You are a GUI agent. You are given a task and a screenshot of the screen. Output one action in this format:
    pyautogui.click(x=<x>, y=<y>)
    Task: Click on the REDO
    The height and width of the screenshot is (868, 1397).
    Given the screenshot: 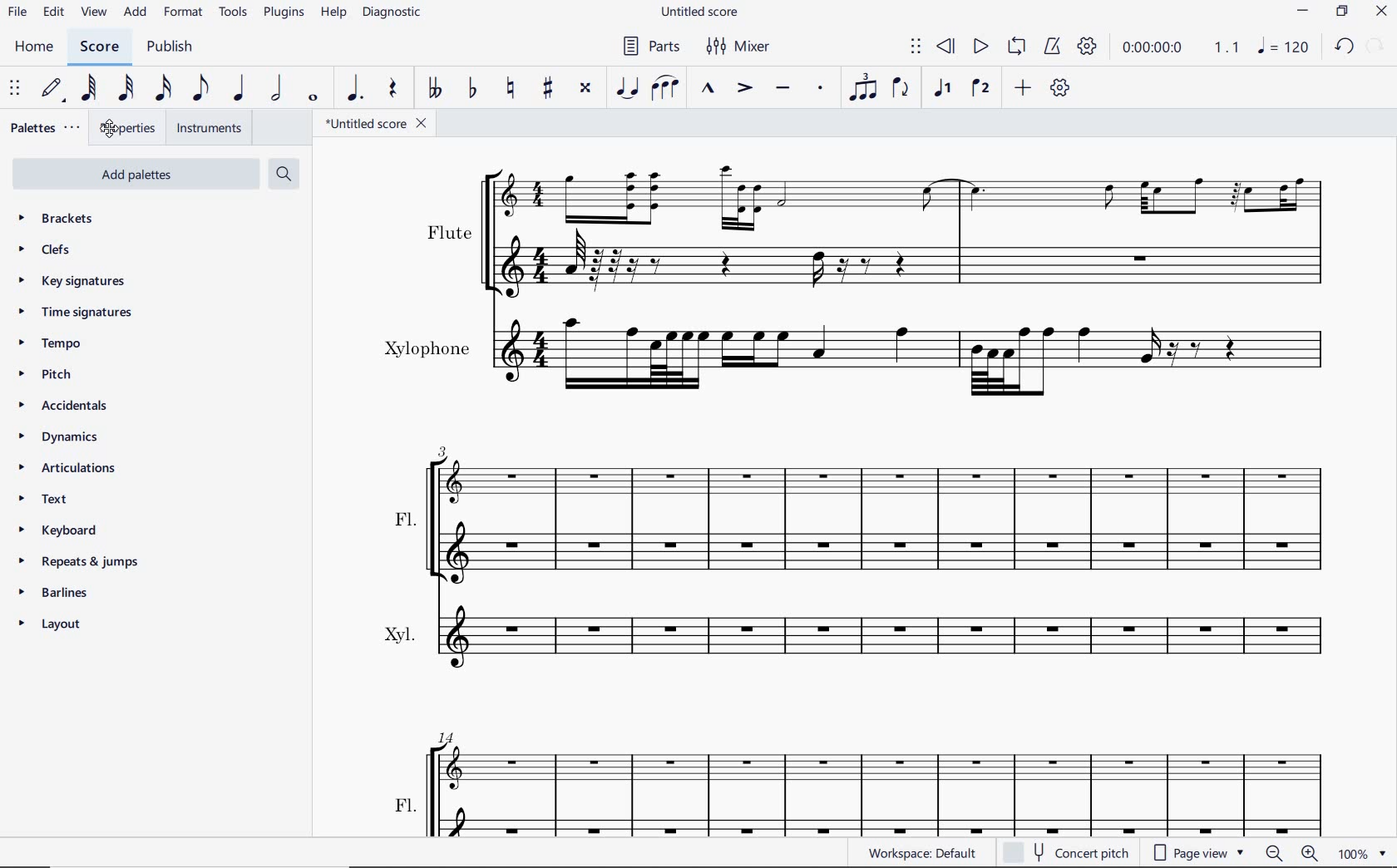 What is the action you would take?
    pyautogui.click(x=1376, y=45)
    